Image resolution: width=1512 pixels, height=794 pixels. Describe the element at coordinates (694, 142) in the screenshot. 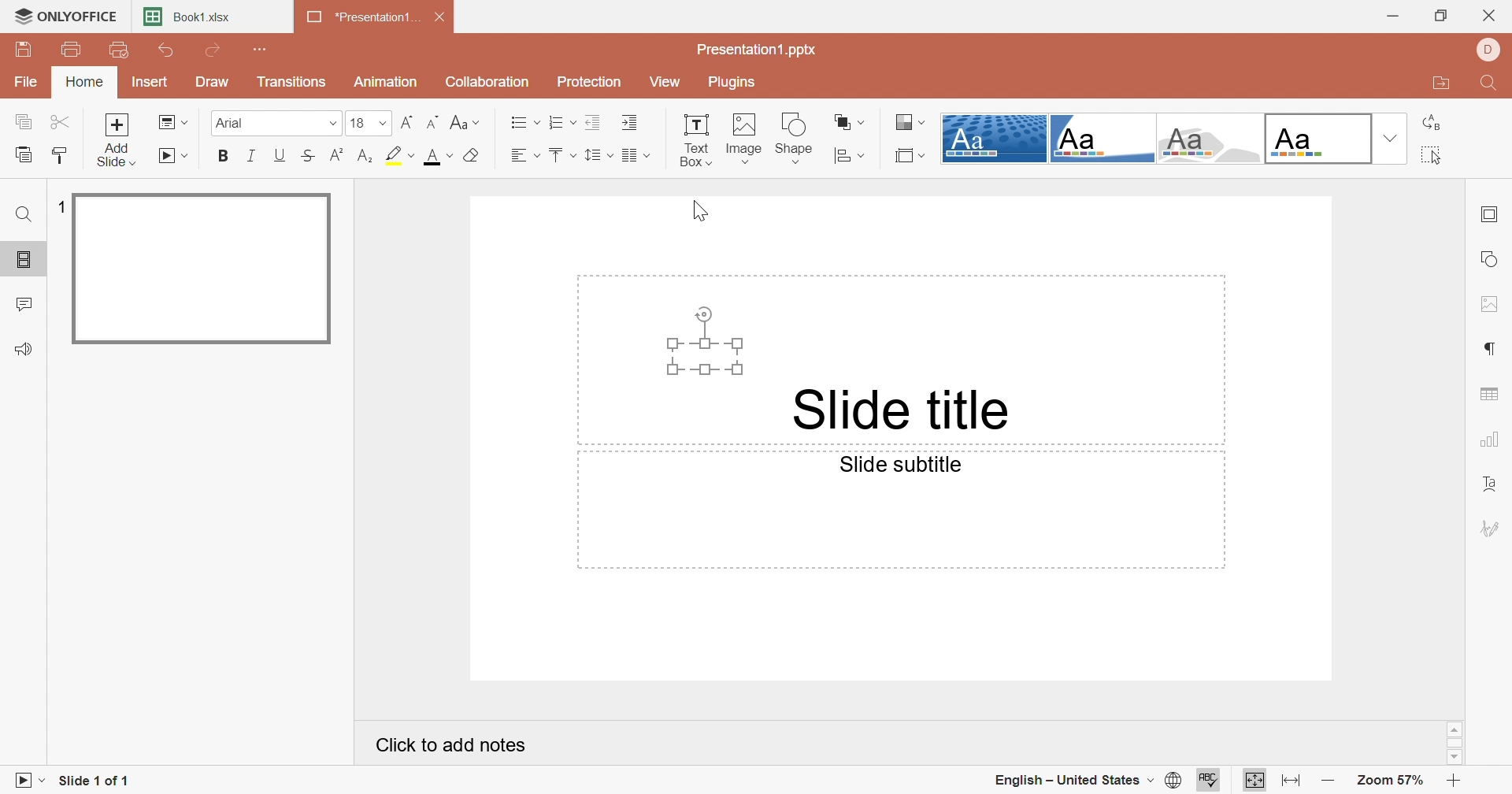

I see `Text Box` at that location.